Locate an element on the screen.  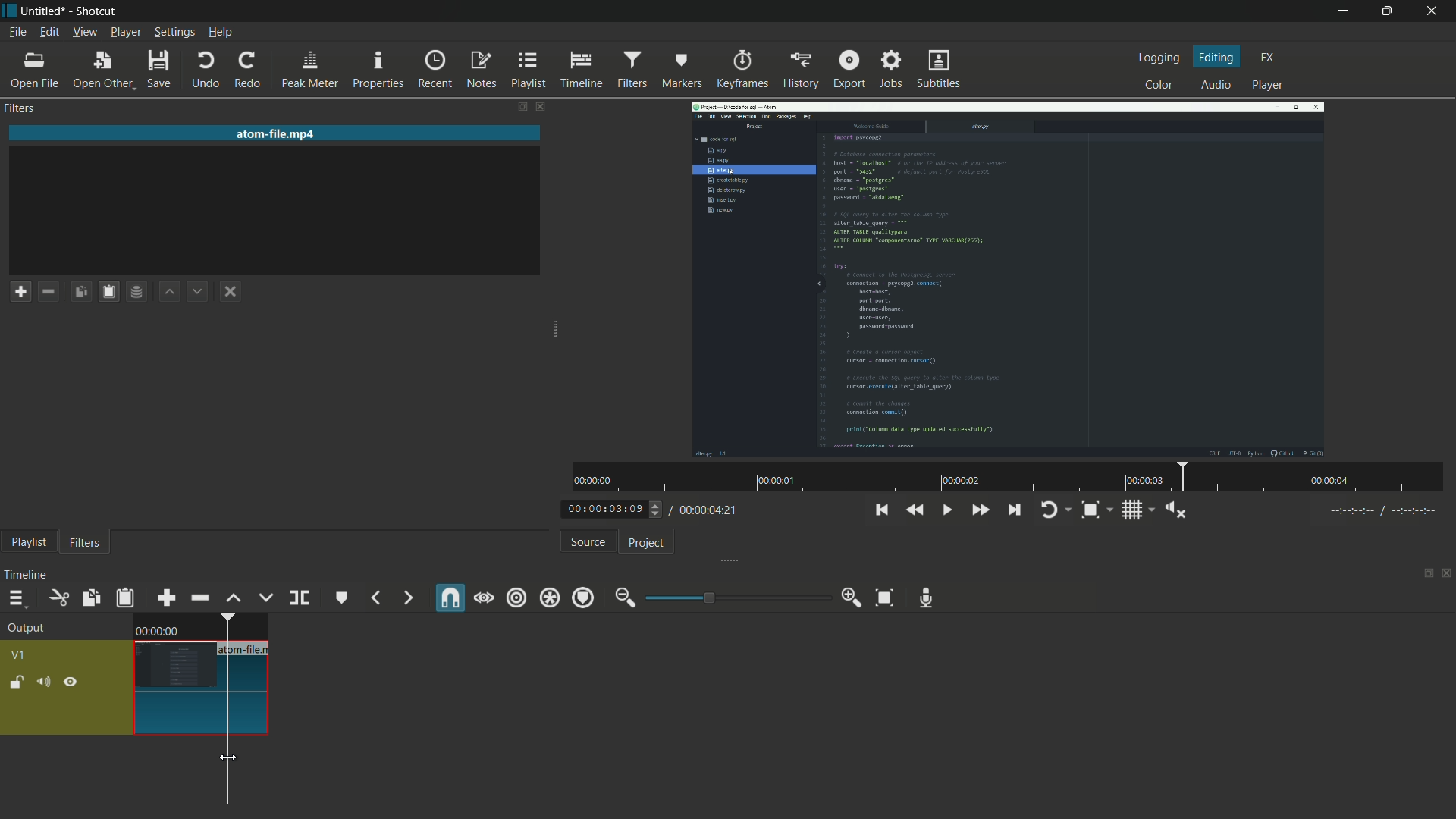
undo is located at coordinates (206, 69).